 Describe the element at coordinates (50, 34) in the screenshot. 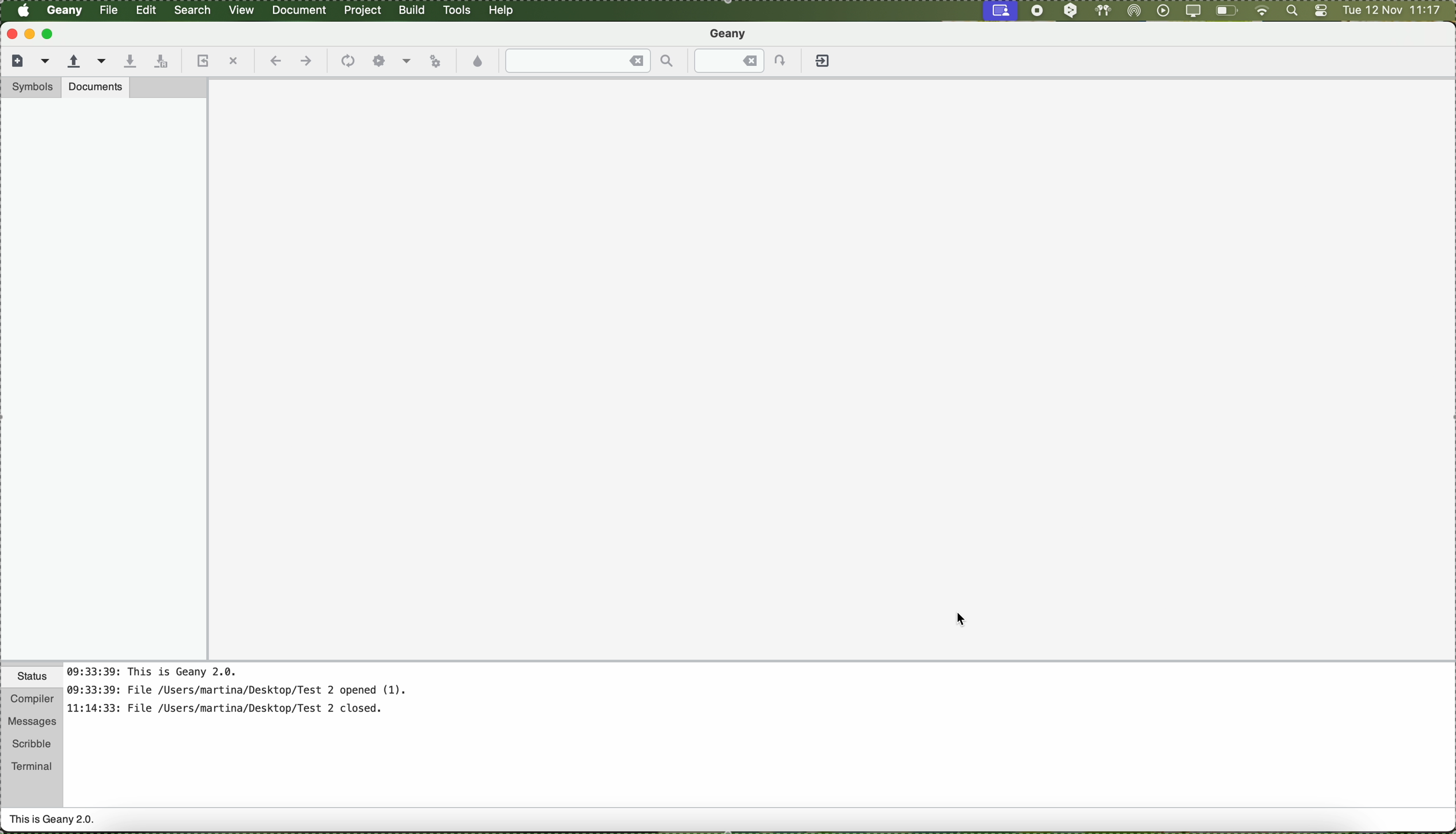

I see `maximize` at that location.